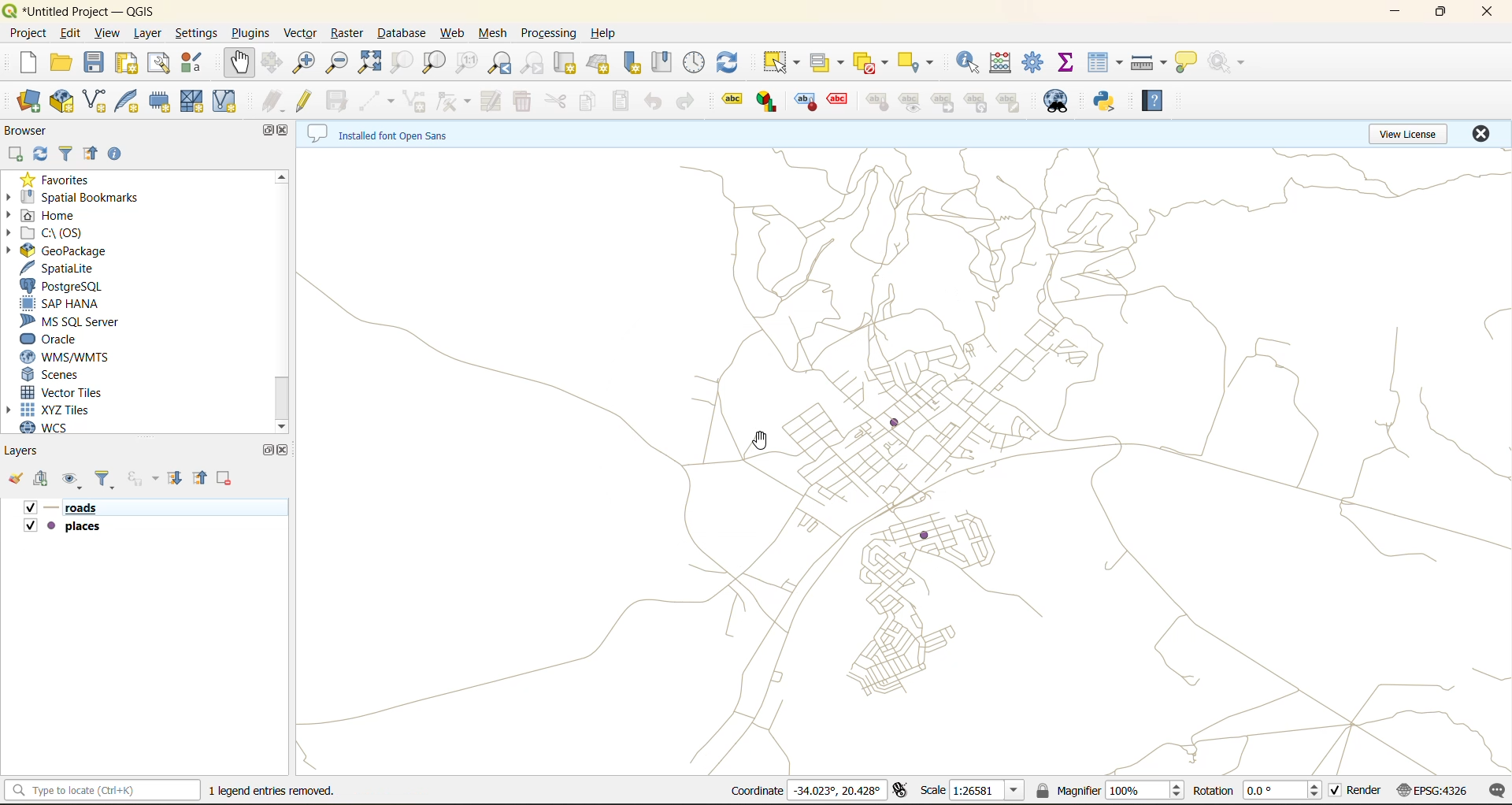  What do you see at coordinates (921, 64) in the screenshot?
I see `select location` at bounding box center [921, 64].